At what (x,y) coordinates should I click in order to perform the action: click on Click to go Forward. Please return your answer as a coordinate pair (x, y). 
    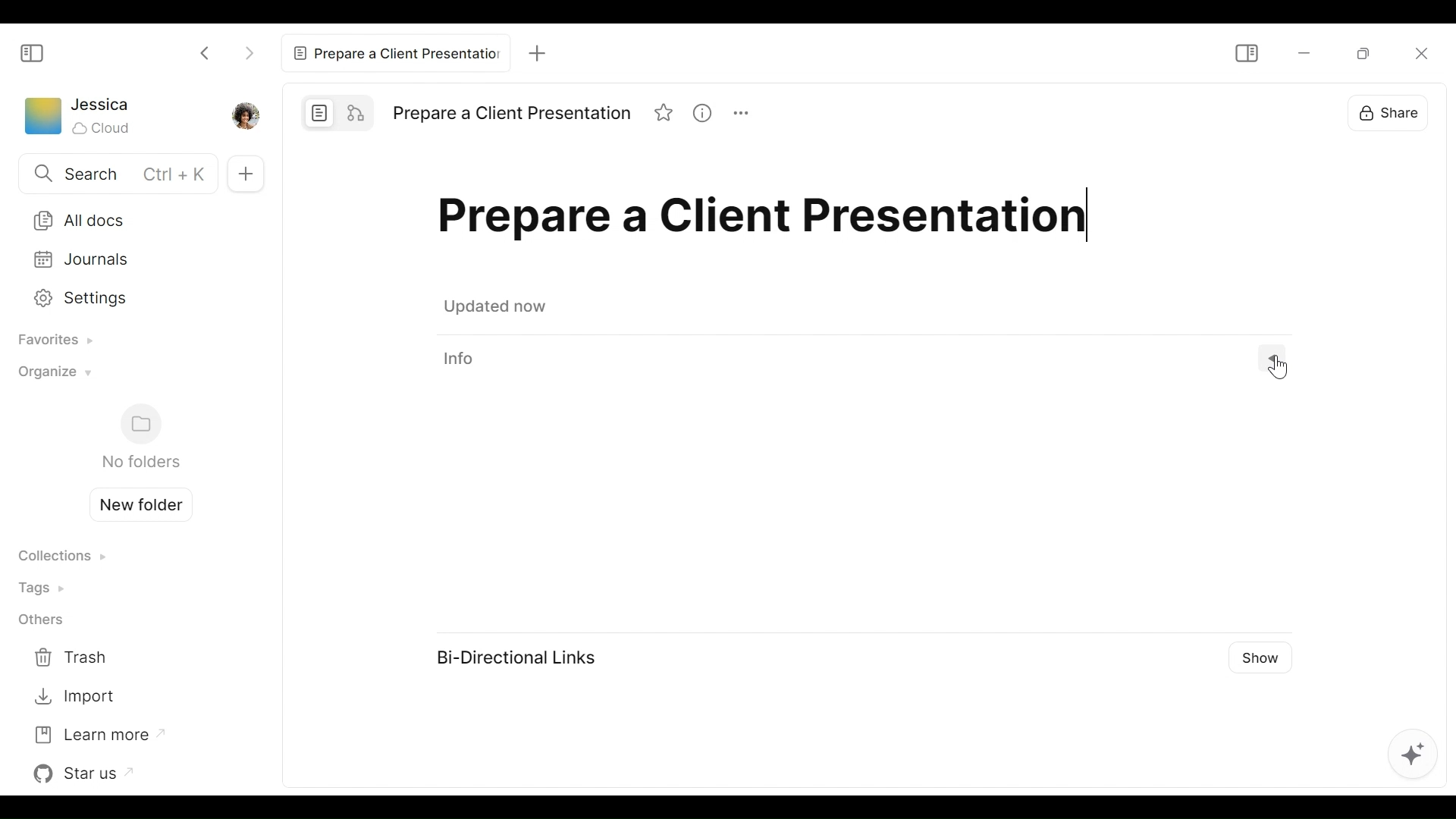
    Looking at the image, I should click on (249, 50).